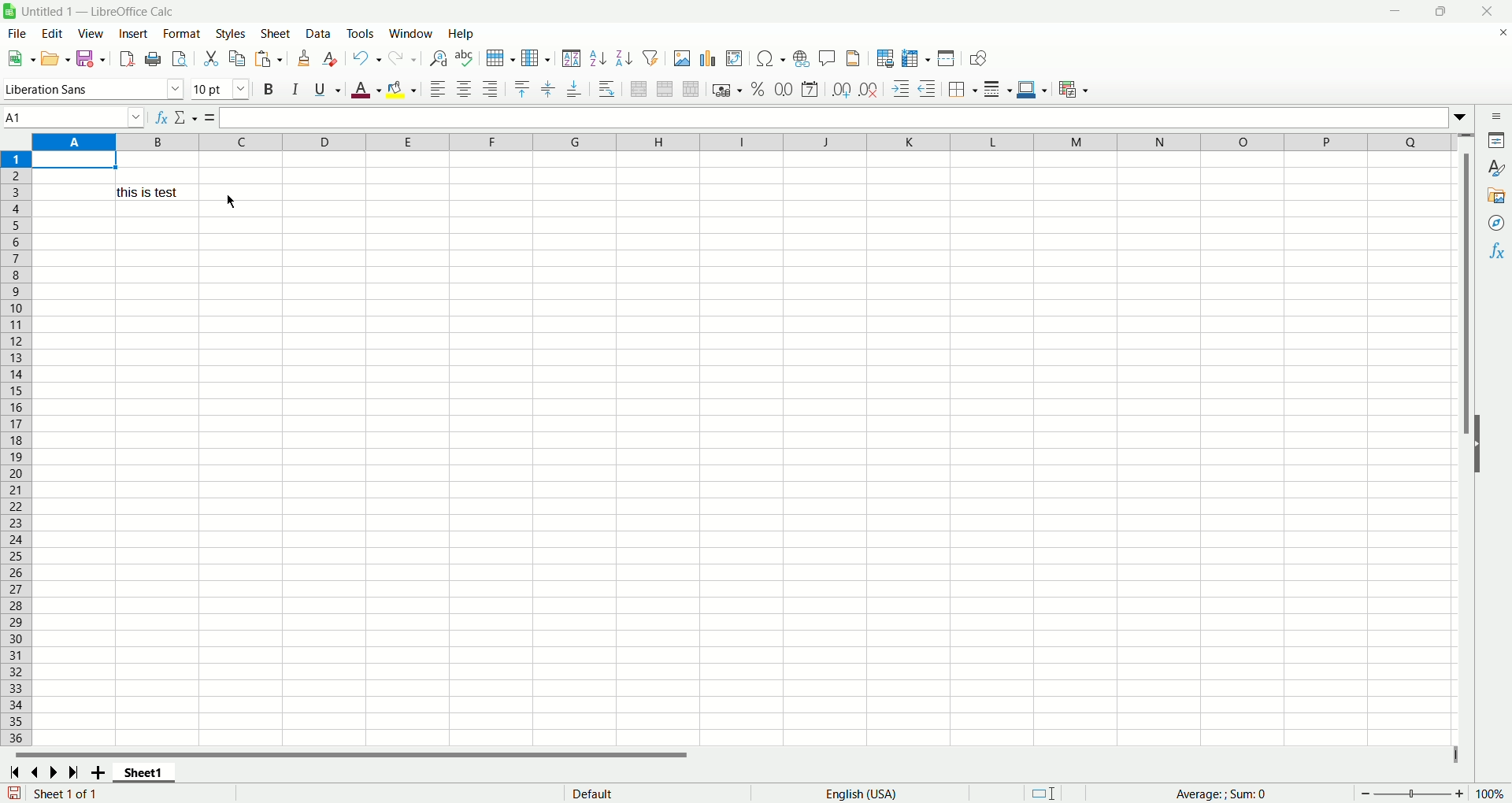  Describe the element at coordinates (213, 58) in the screenshot. I see `cut` at that location.